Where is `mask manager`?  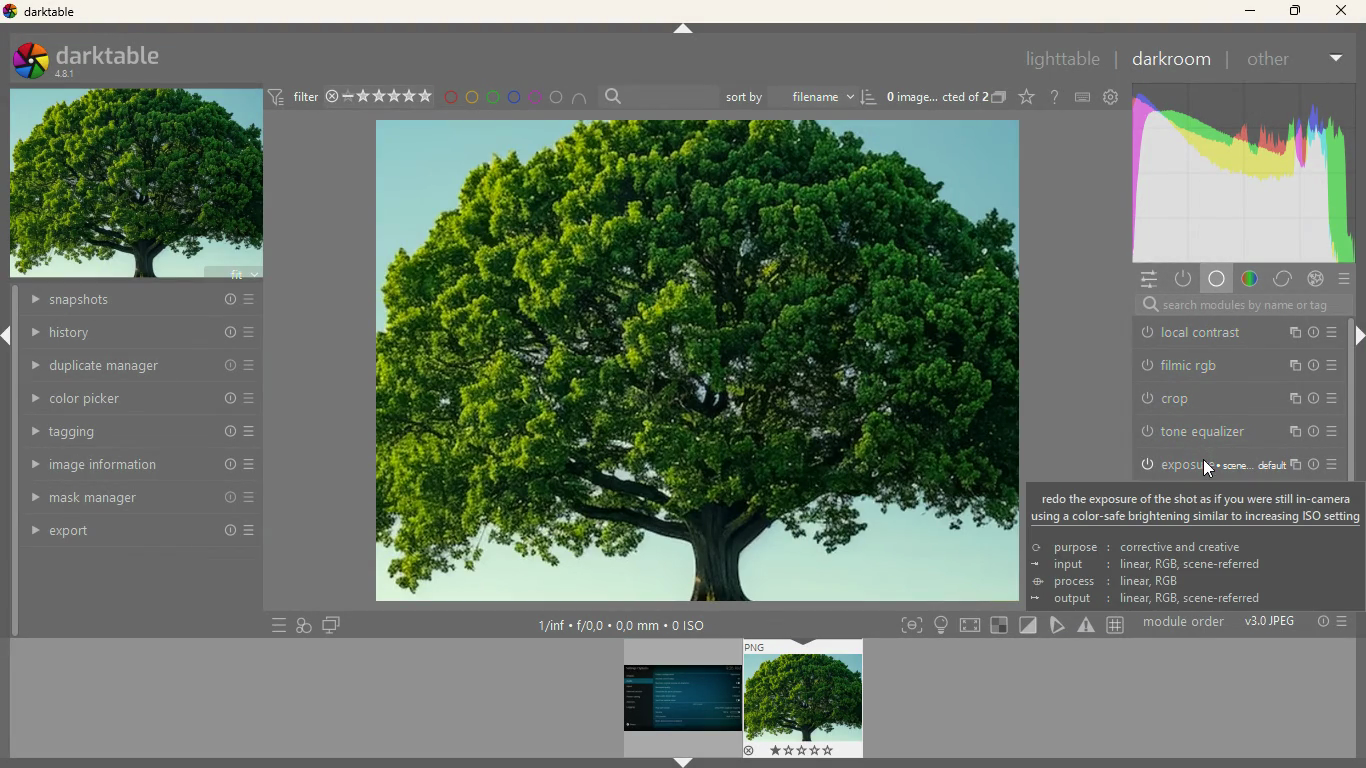
mask manager is located at coordinates (137, 500).